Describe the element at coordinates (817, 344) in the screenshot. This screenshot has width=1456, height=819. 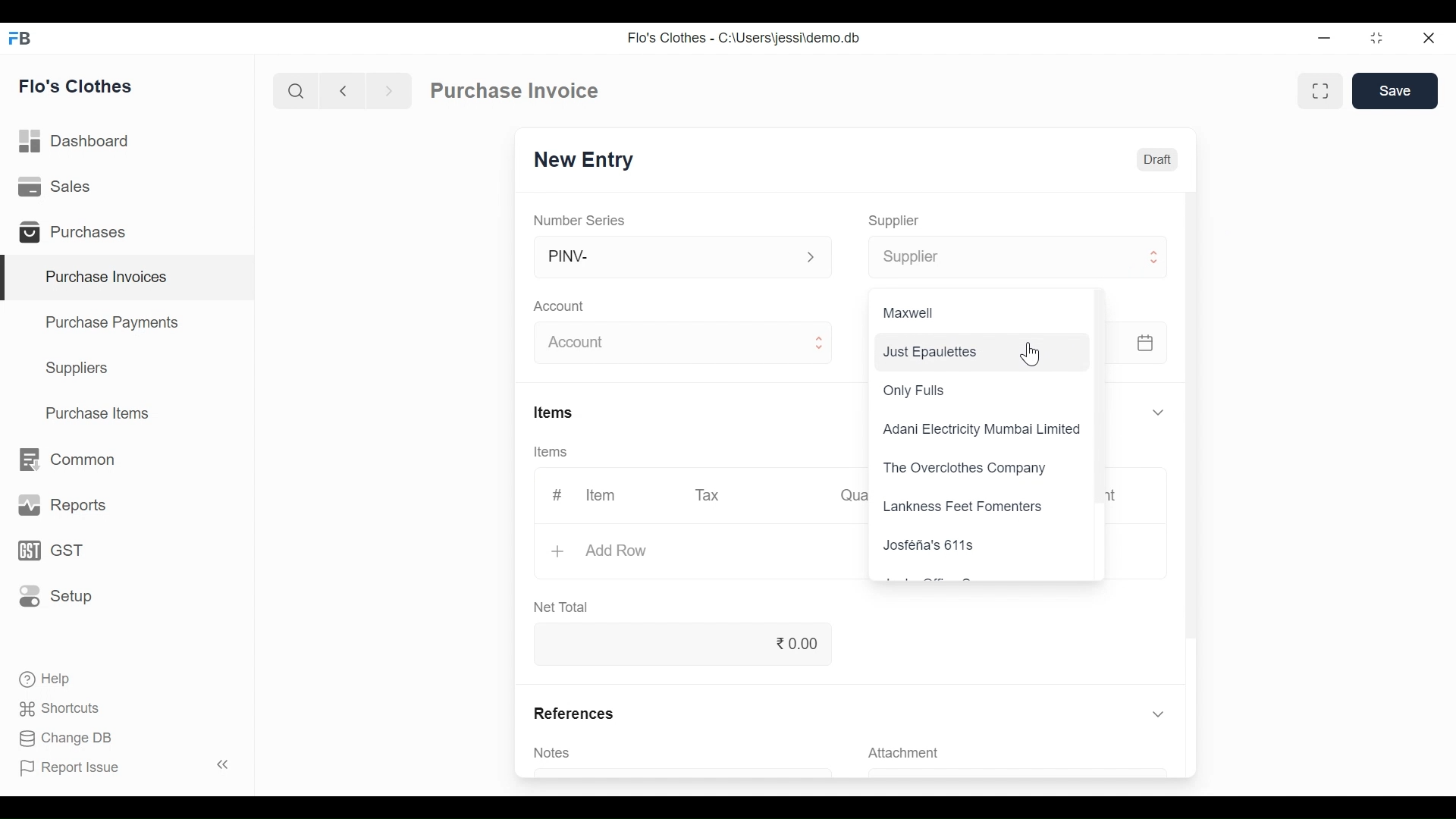
I see `Expand` at that location.